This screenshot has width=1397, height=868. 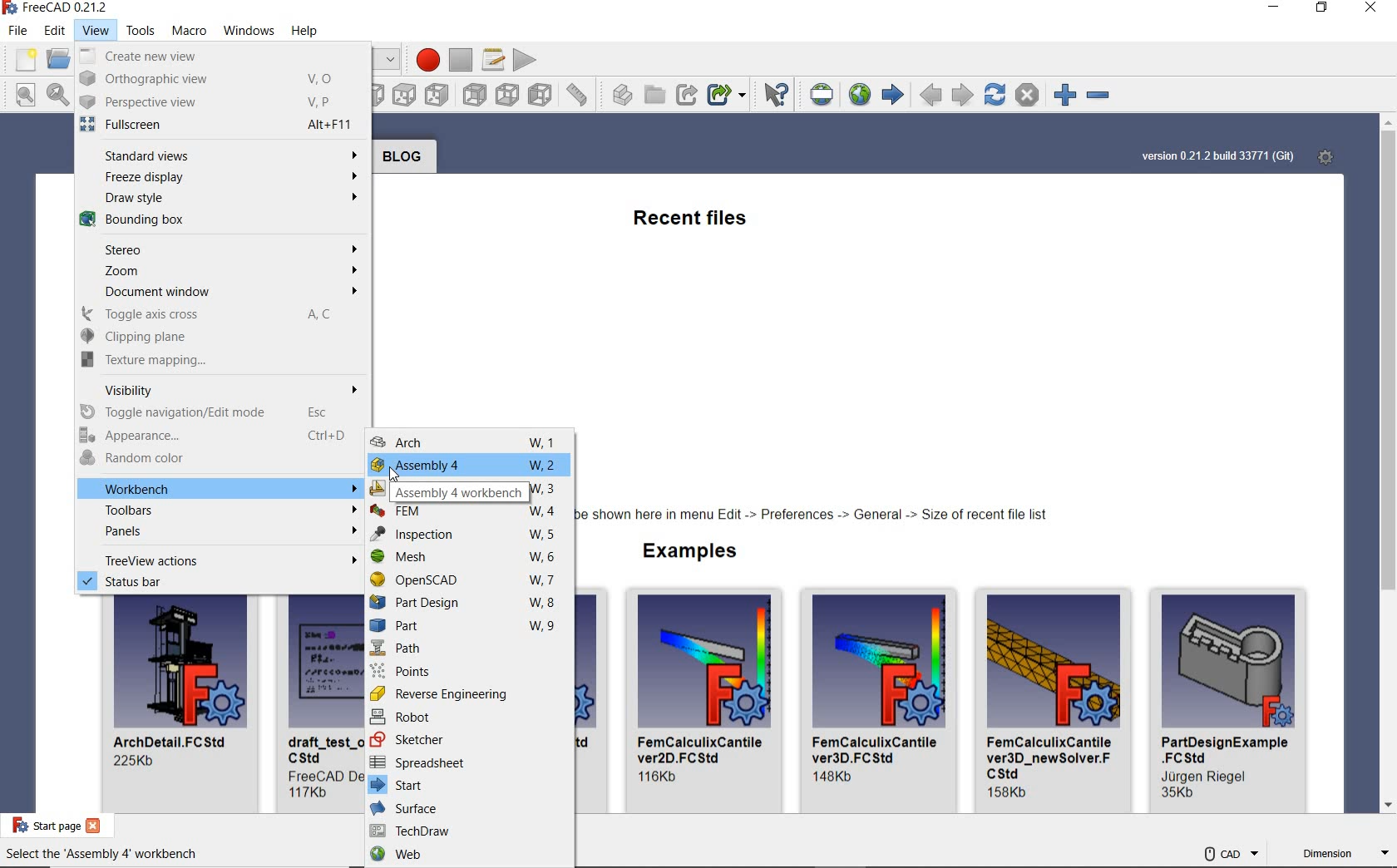 What do you see at coordinates (994, 94) in the screenshot?
I see `refresh webpage` at bounding box center [994, 94].